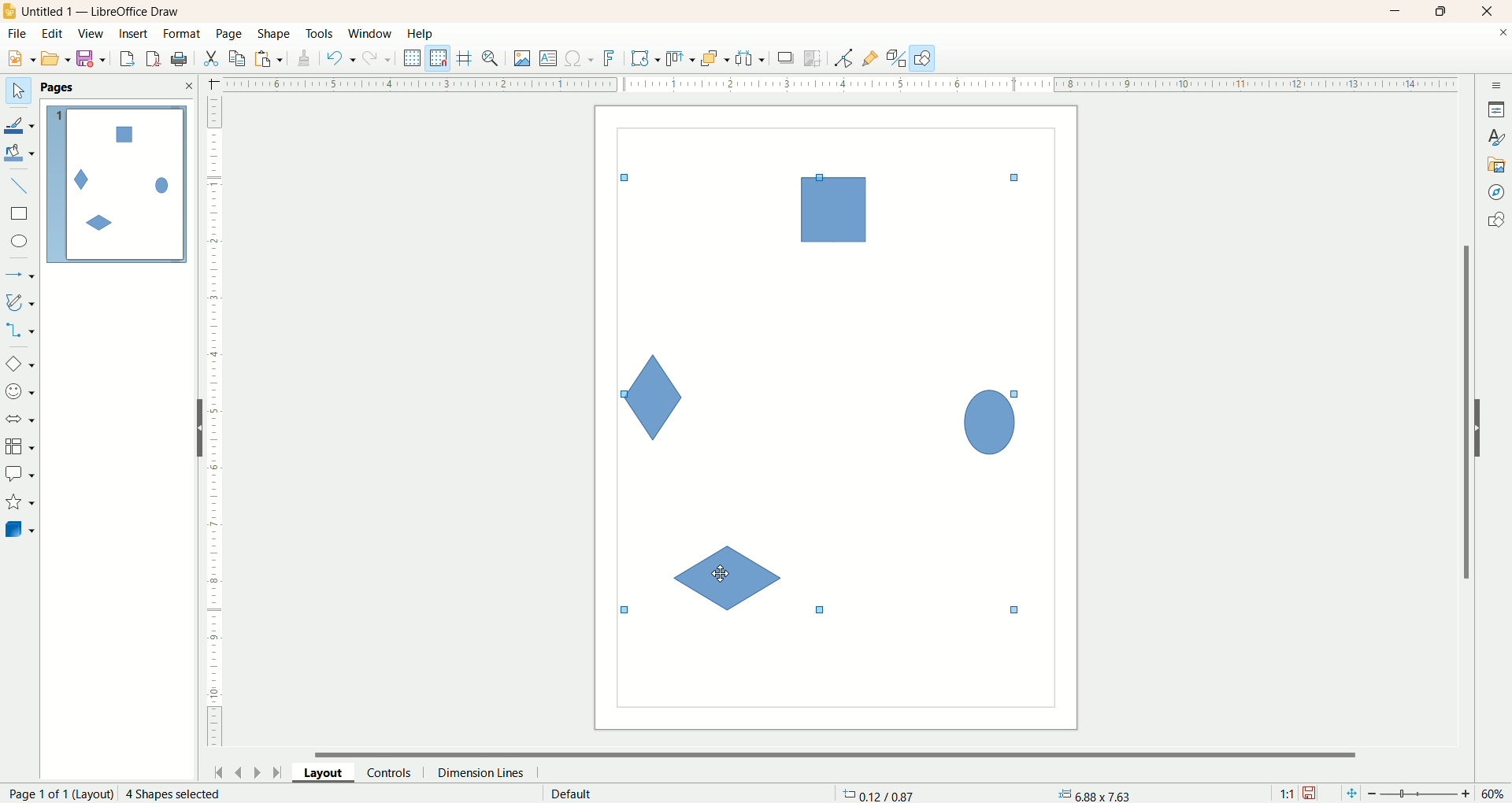 Image resolution: width=1512 pixels, height=803 pixels. What do you see at coordinates (845, 753) in the screenshot?
I see `horizontal scroll bar` at bounding box center [845, 753].